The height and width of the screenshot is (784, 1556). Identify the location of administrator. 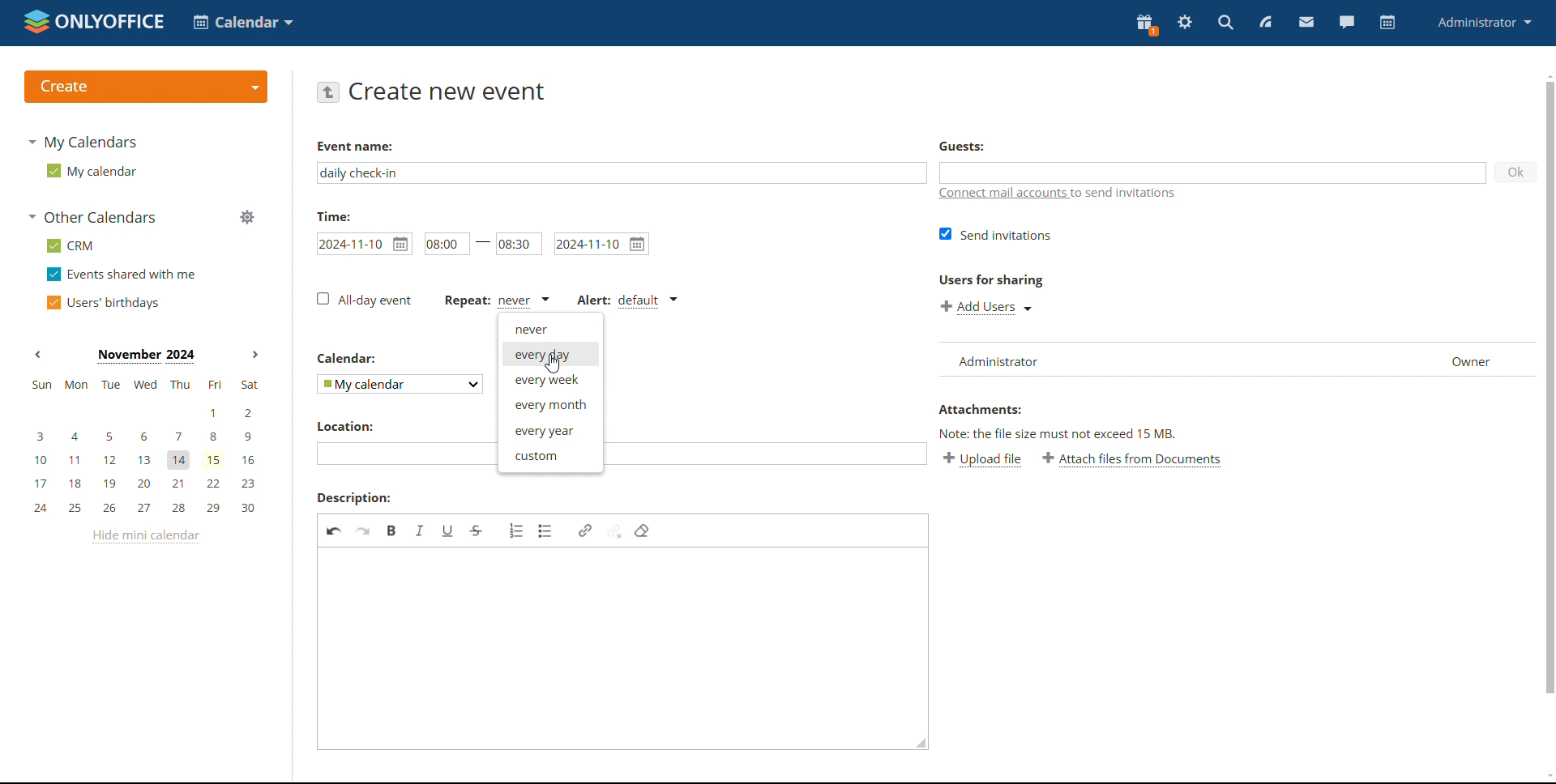
(1483, 21).